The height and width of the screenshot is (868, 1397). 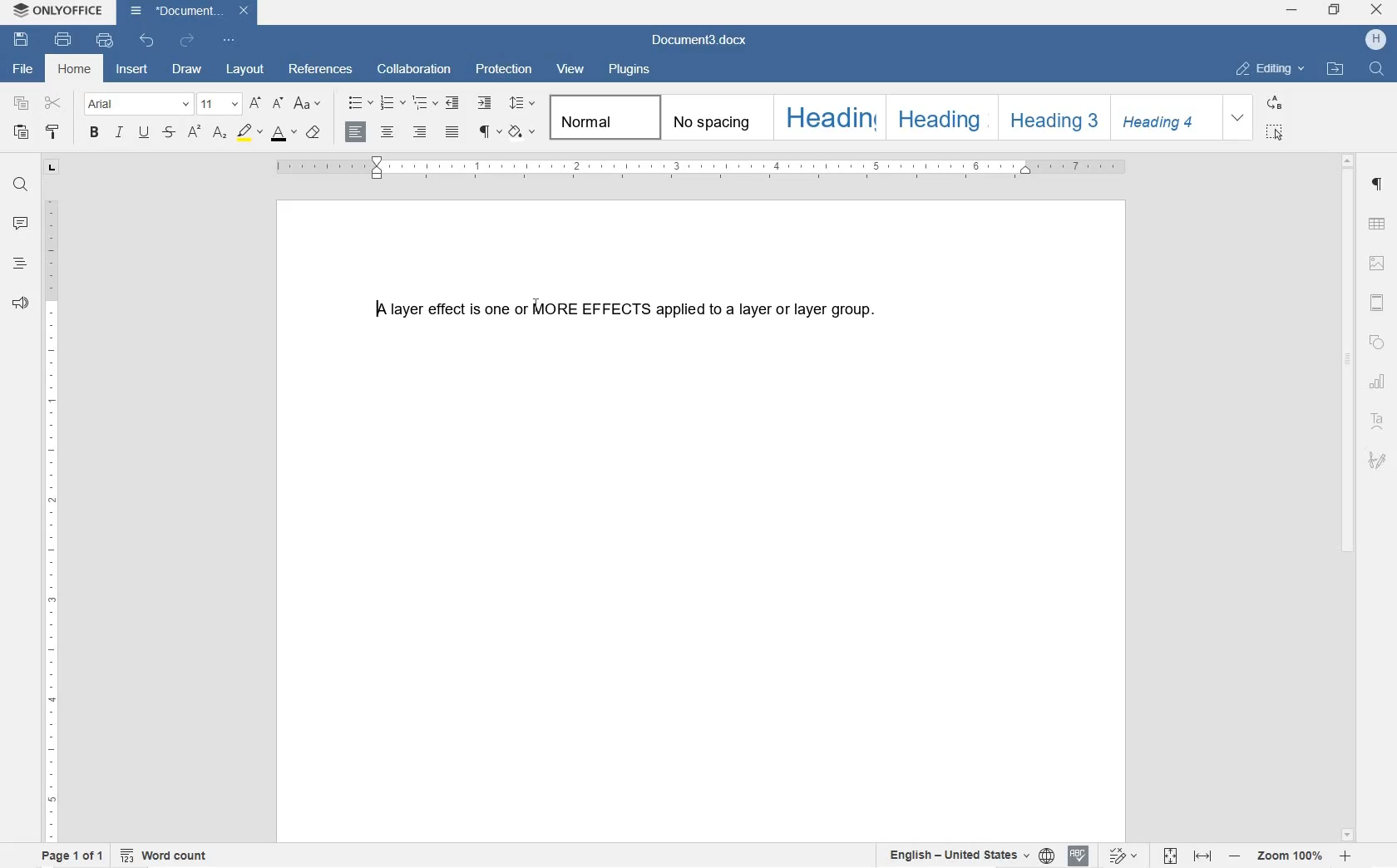 What do you see at coordinates (1291, 858) in the screenshot?
I see `ZOOM IN OR OUT` at bounding box center [1291, 858].